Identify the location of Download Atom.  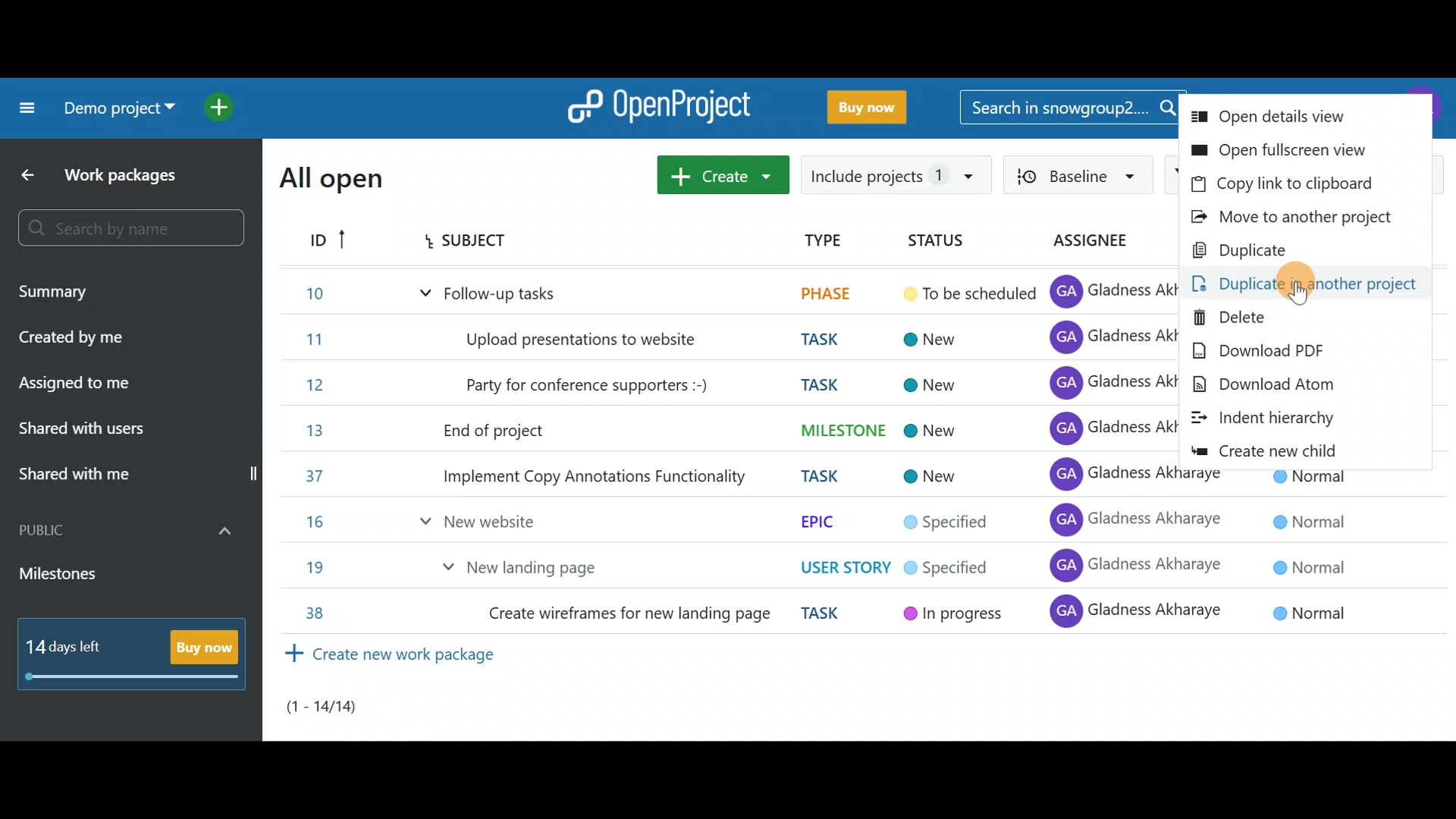
(1292, 386).